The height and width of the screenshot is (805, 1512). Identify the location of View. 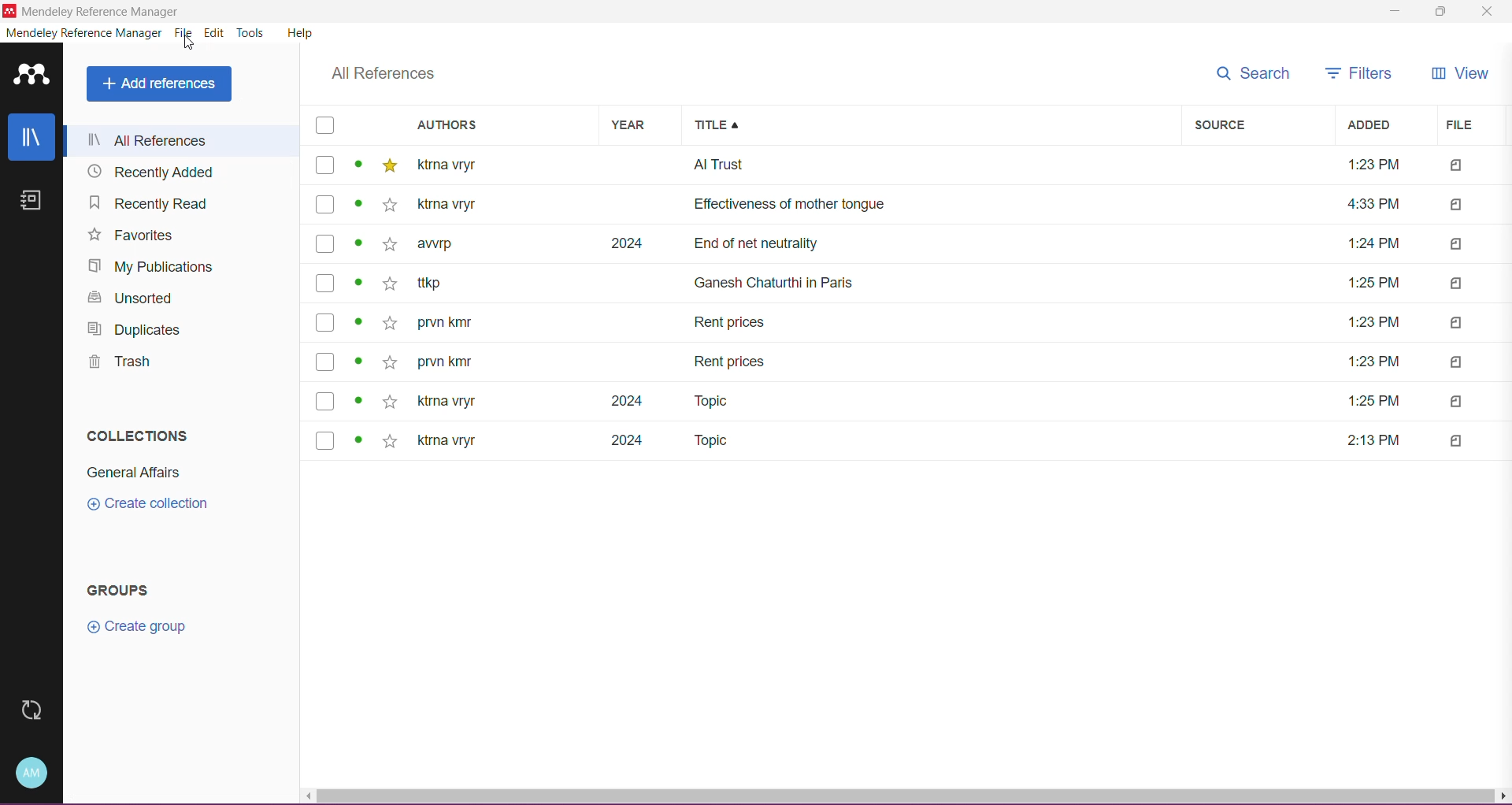
(1461, 74).